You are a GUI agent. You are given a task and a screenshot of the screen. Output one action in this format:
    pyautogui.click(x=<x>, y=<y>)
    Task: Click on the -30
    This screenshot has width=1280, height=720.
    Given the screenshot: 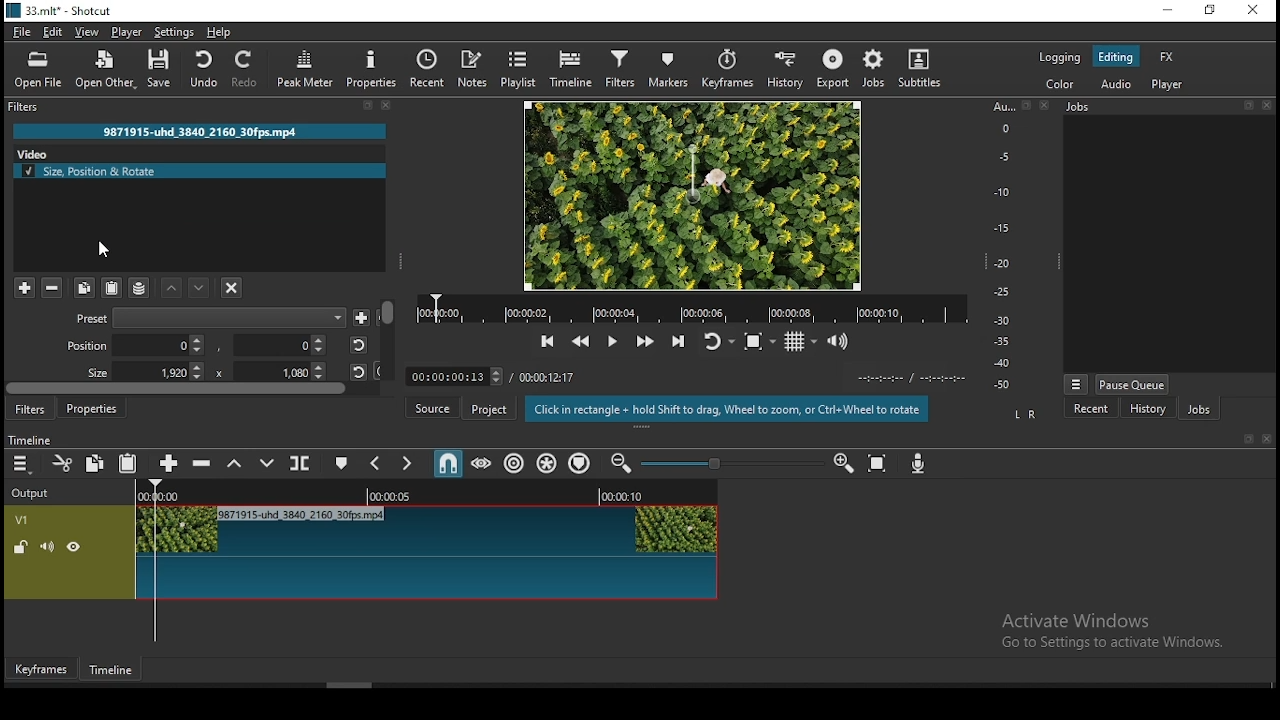 What is the action you would take?
    pyautogui.click(x=1002, y=319)
    